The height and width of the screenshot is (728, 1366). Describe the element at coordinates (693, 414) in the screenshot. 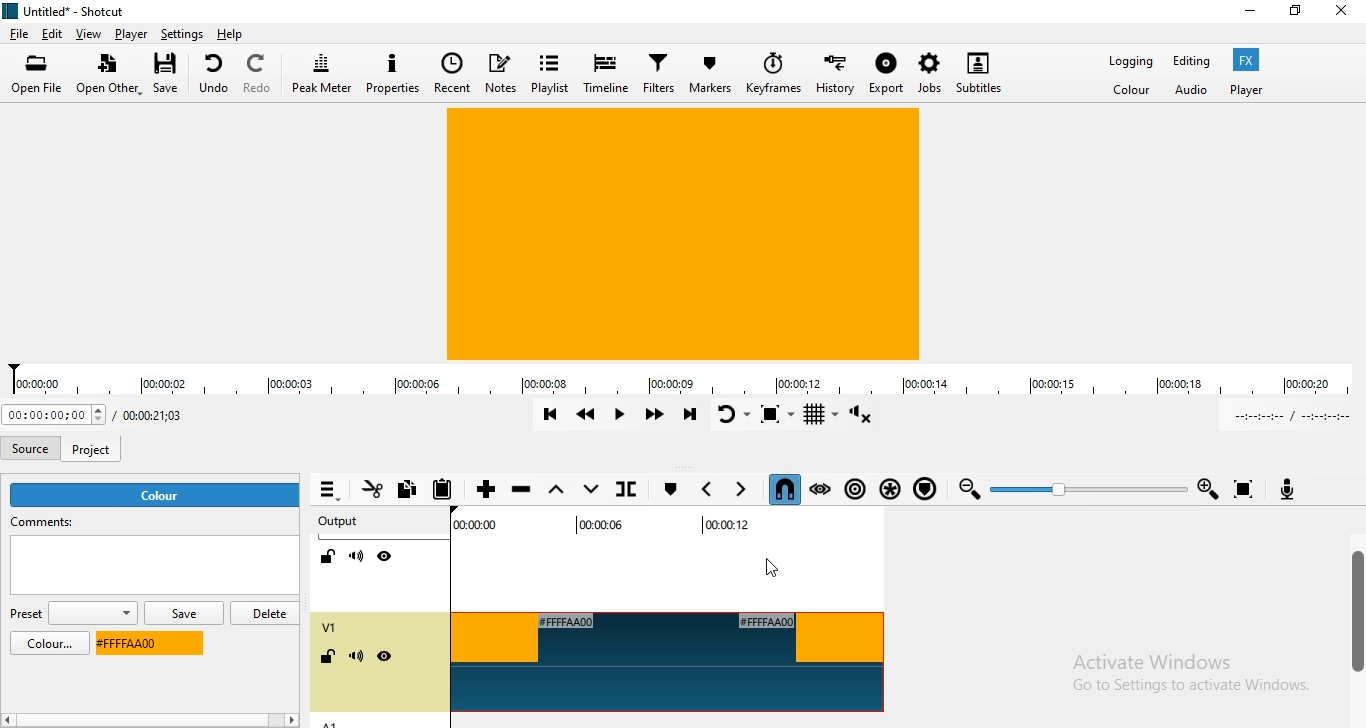

I see `` at that location.